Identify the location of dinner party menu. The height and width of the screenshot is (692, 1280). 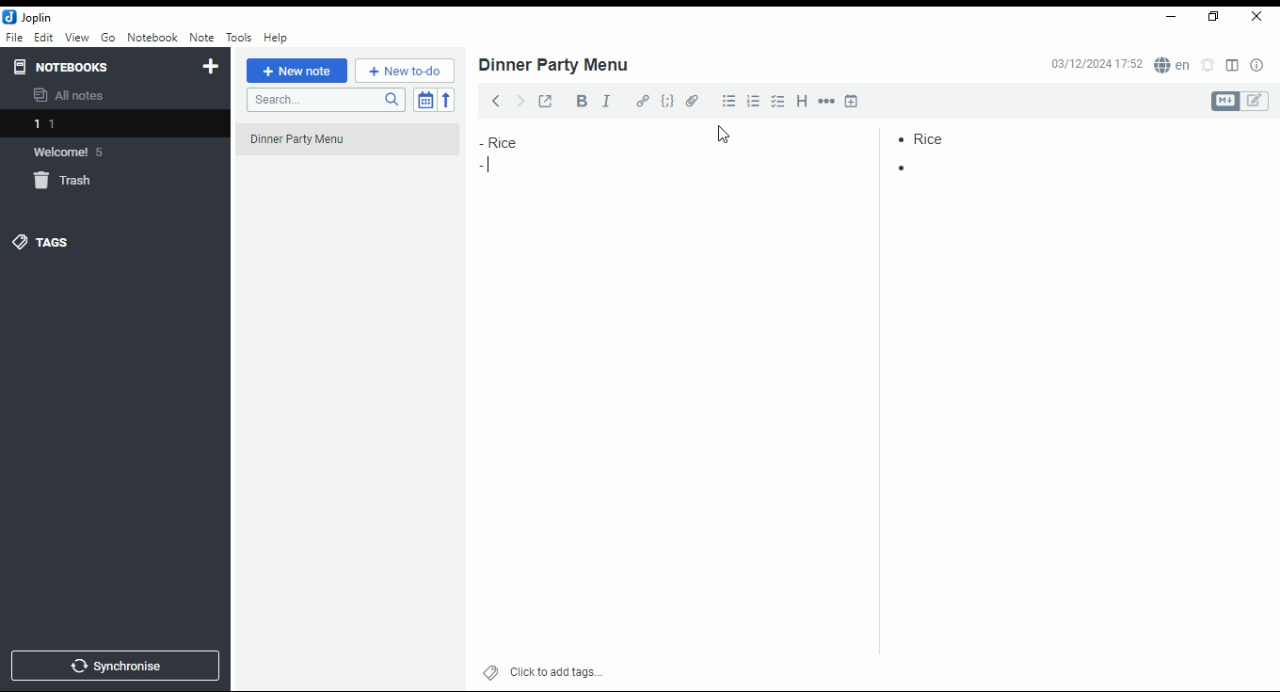
(353, 146).